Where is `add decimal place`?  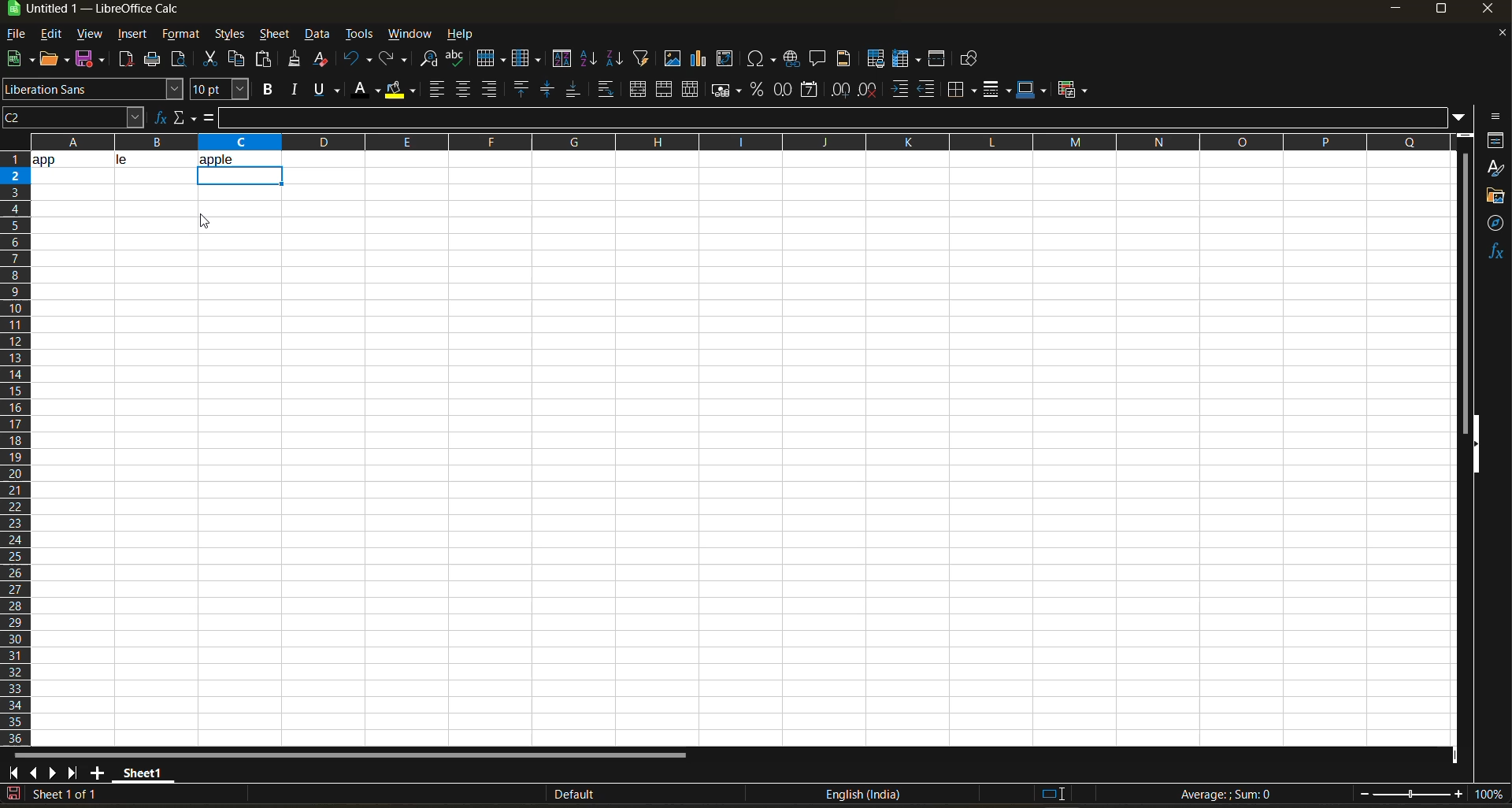
add decimal place is located at coordinates (840, 91).